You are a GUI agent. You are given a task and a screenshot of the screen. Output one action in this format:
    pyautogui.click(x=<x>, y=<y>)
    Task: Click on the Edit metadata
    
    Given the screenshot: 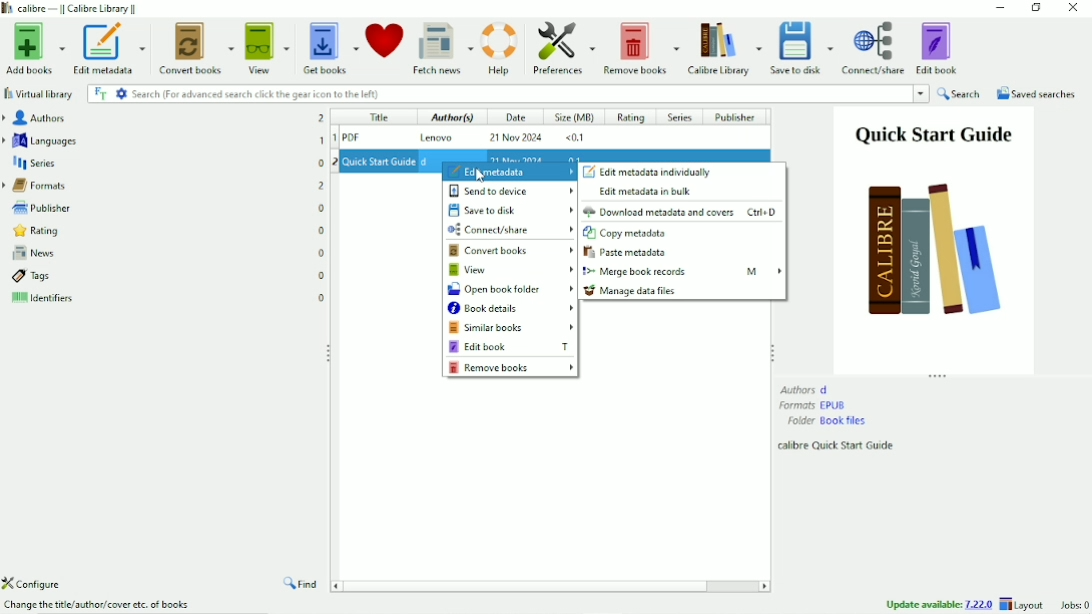 What is the action you would take?
    pyautogui.click(x=107, y=49)
    